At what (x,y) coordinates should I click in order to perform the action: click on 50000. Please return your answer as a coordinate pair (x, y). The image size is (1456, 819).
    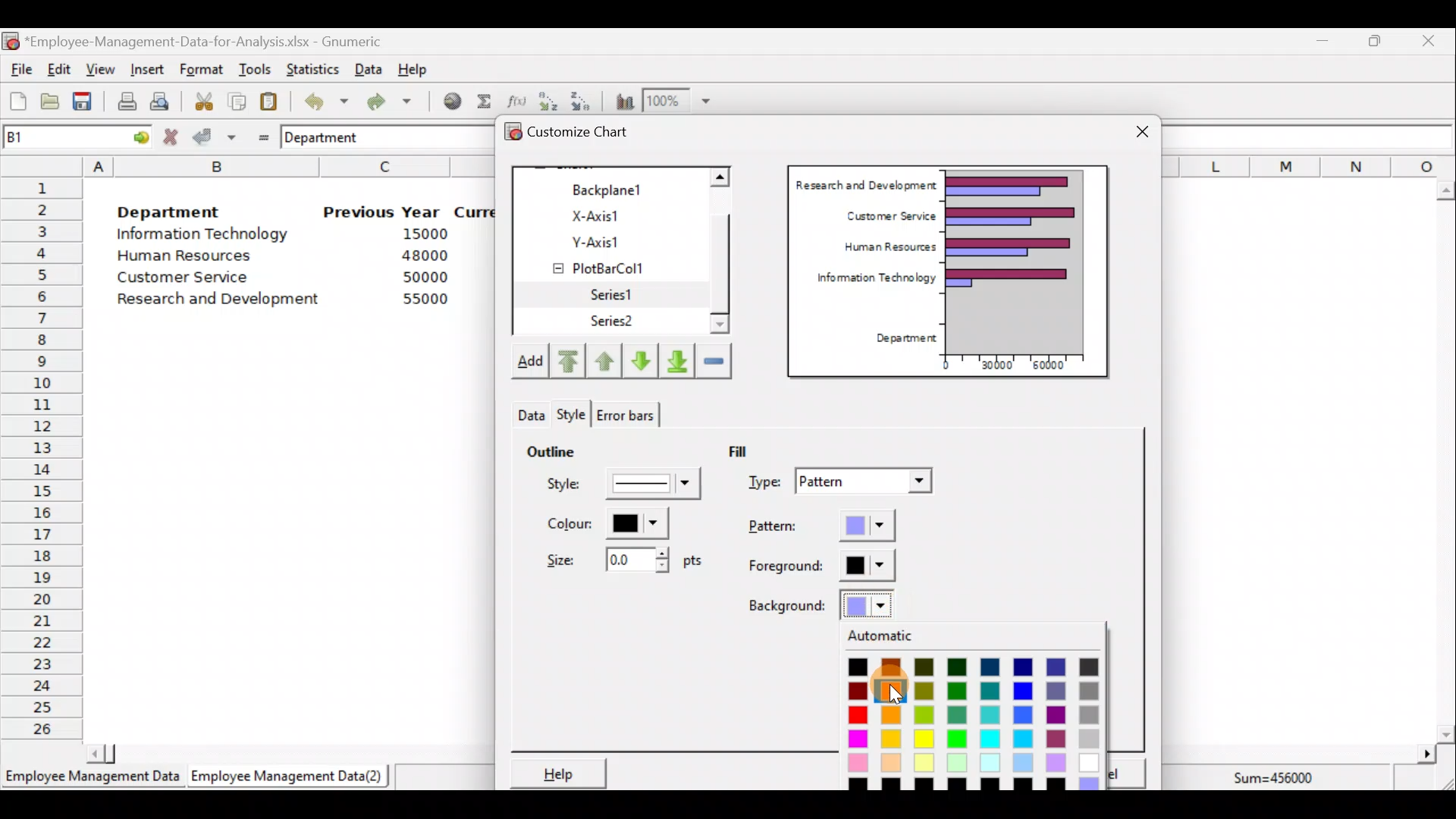
    Looking at the image, I should click on (429, 277).